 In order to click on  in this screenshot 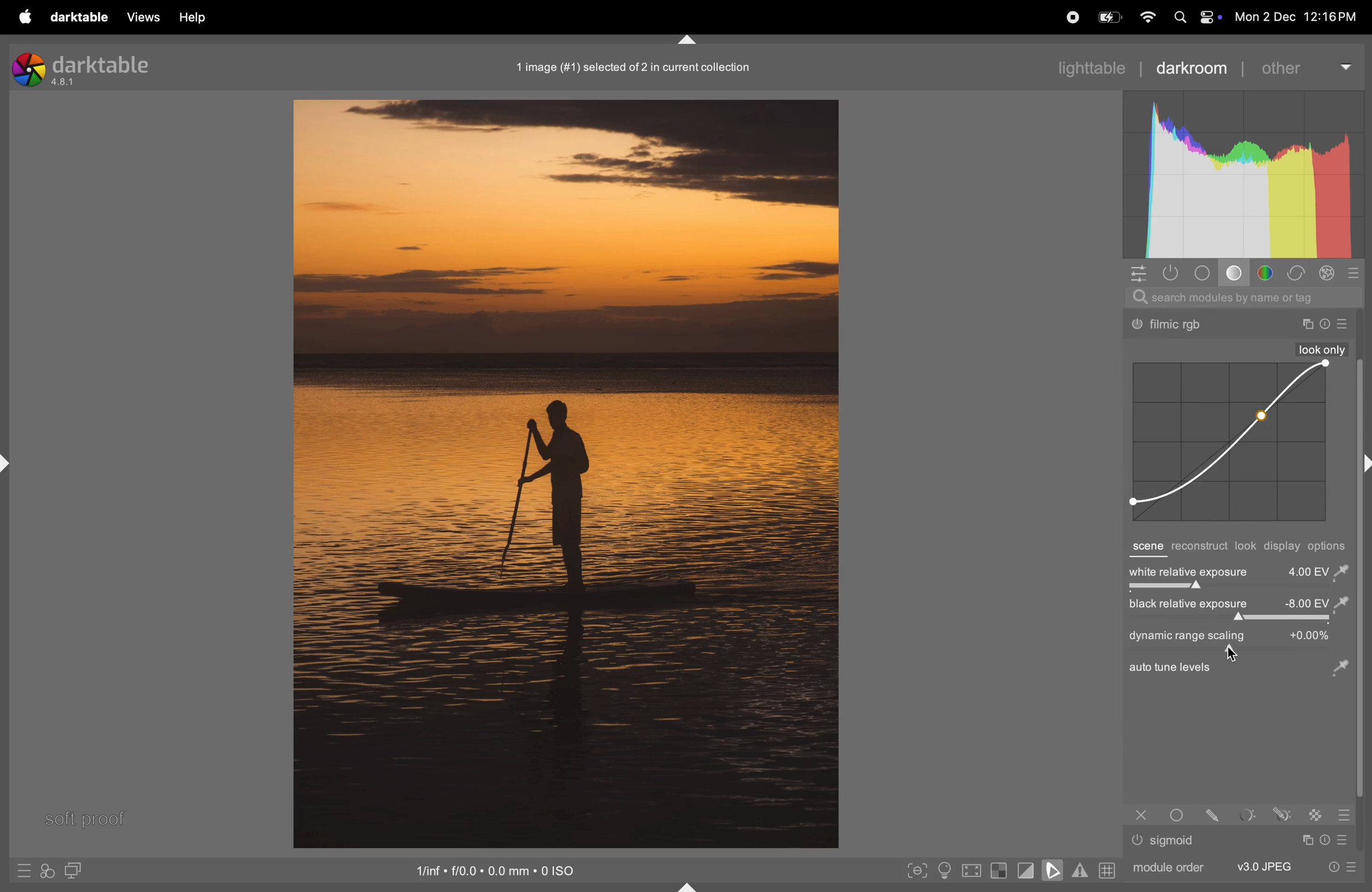, I will do `click(1306, 324)`.